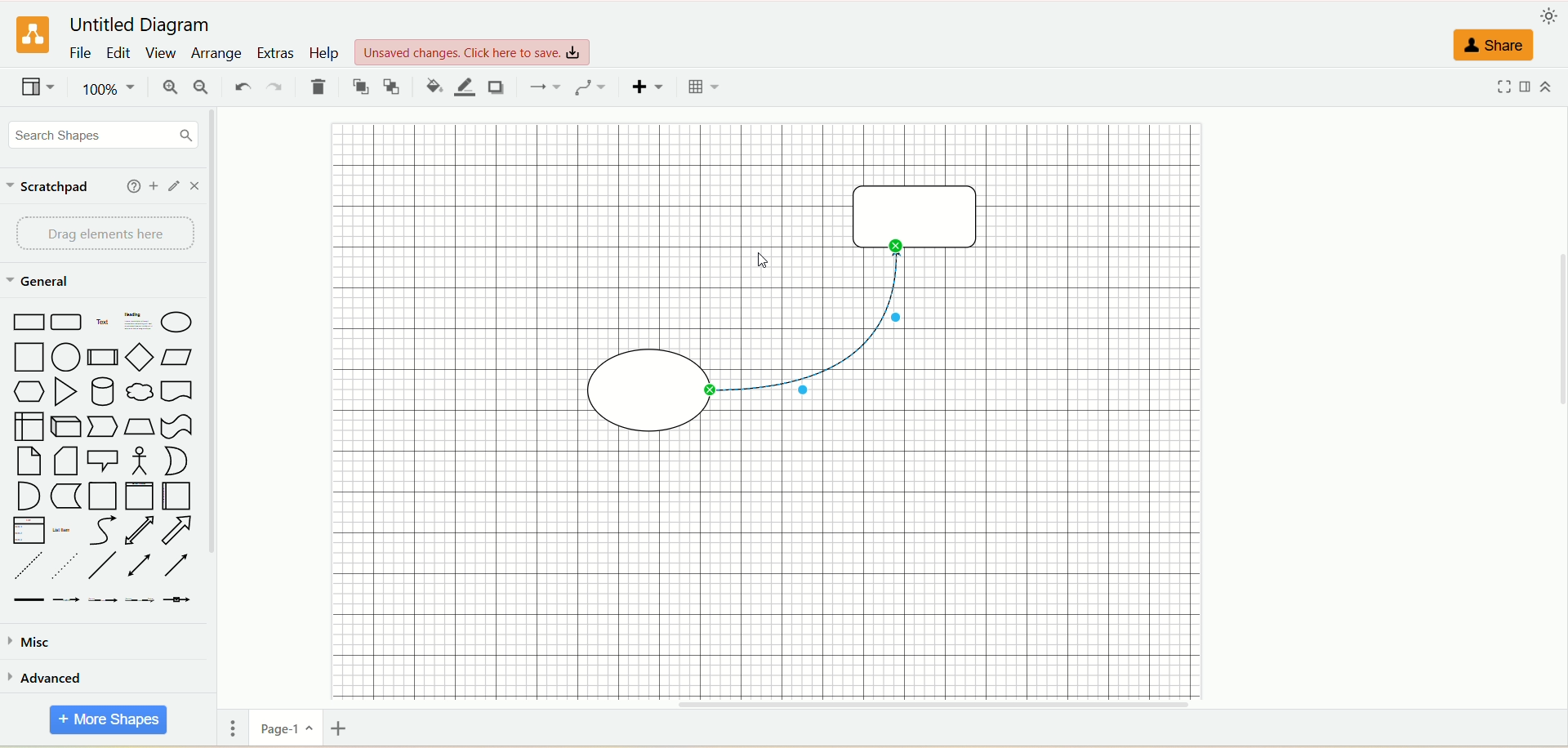  Describe the element at coordinates (889, 705) in the screenshot. I see `horizontal scroll bar` at that location.